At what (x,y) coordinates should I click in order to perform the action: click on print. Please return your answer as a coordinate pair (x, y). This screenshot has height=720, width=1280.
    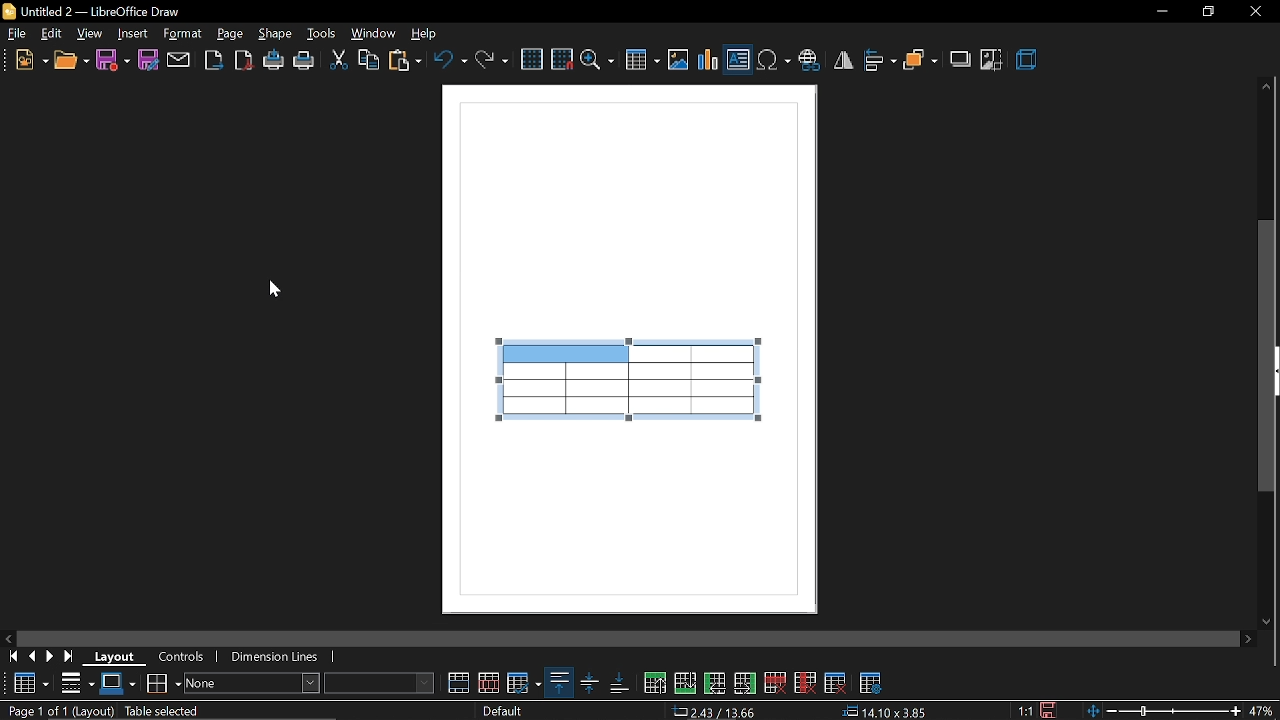
    Looking at the image, I should click on (305, 62).